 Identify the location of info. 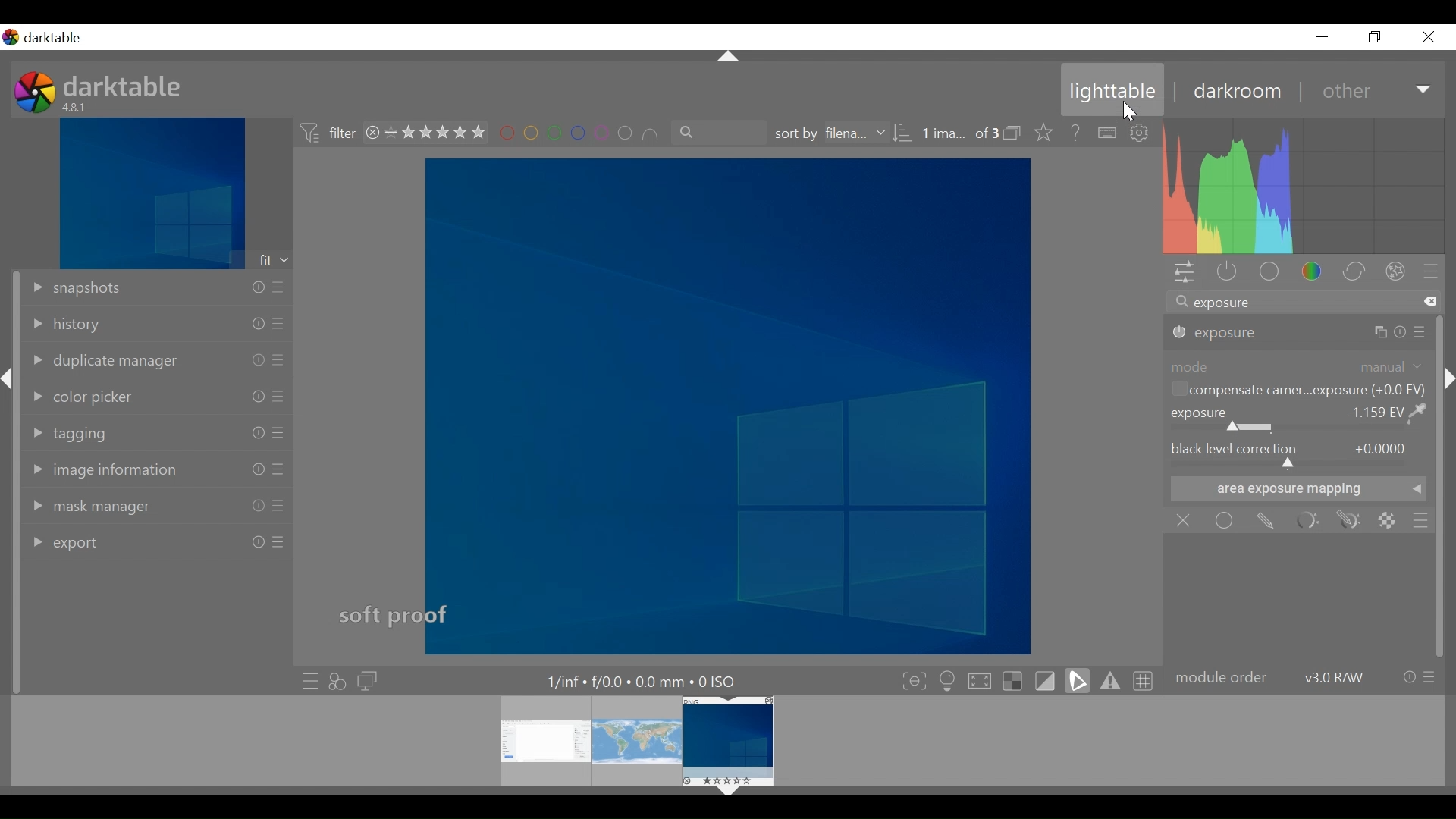
(1401, 333).